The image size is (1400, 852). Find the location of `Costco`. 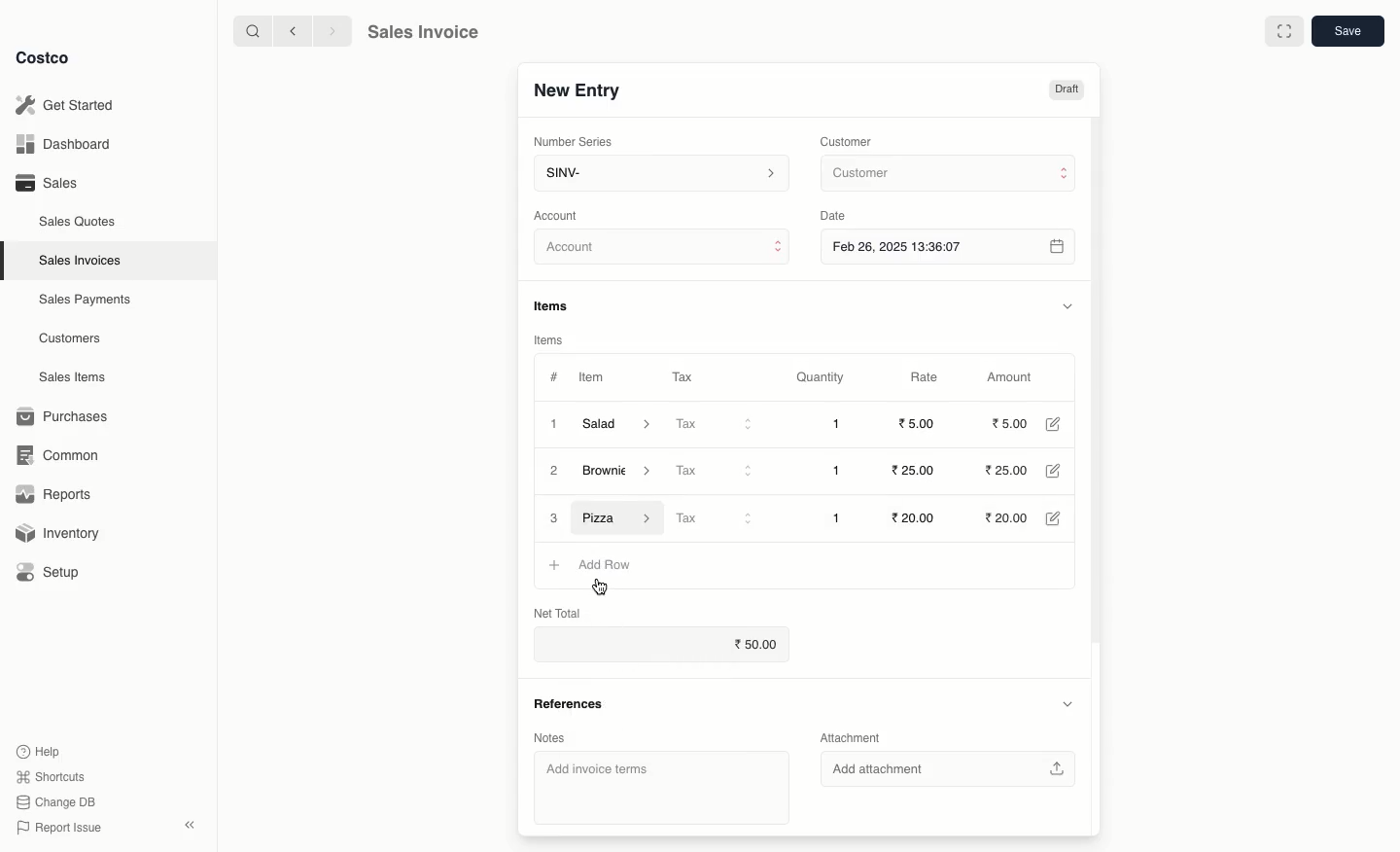

Costco is located at coordinates (48, 58).